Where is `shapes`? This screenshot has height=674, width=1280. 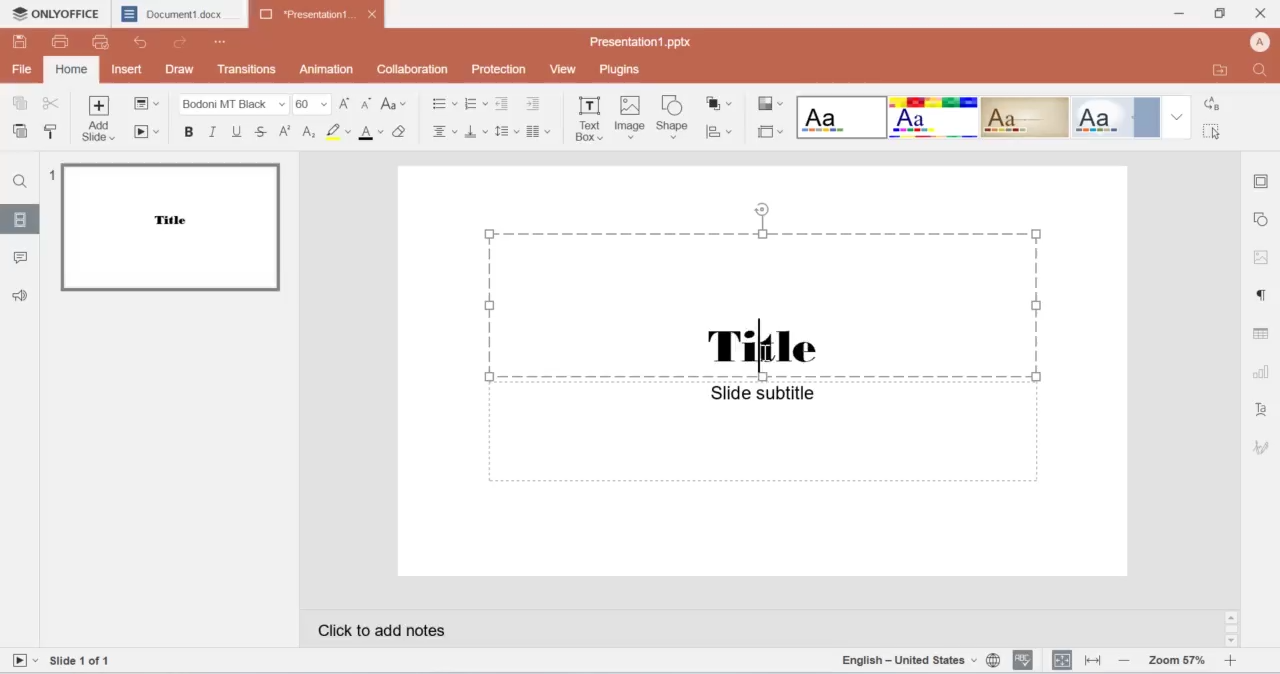 shapes is located at coordinates (721, 105).